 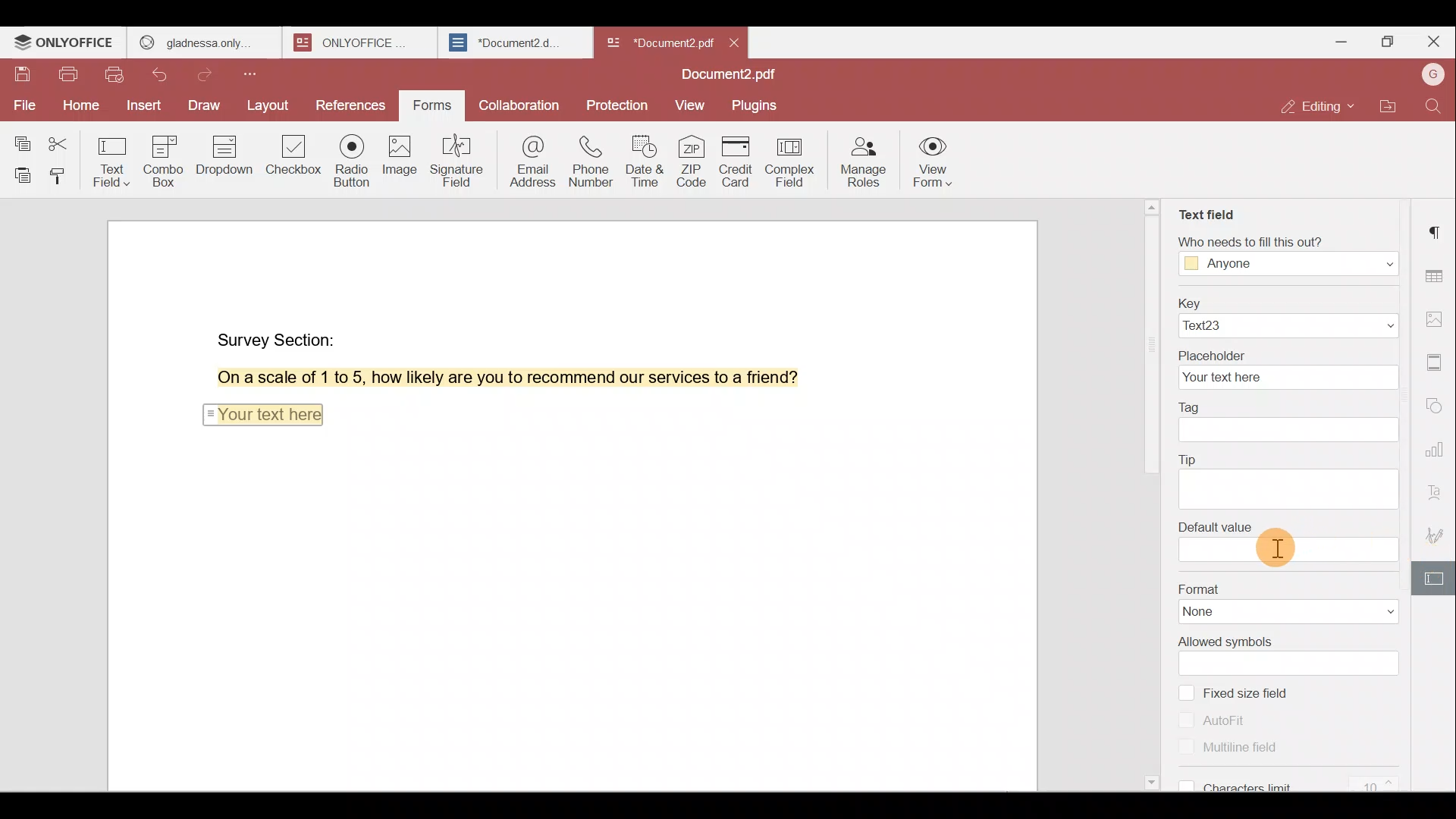 I want to click on Document name, so click(x=733, y=76).